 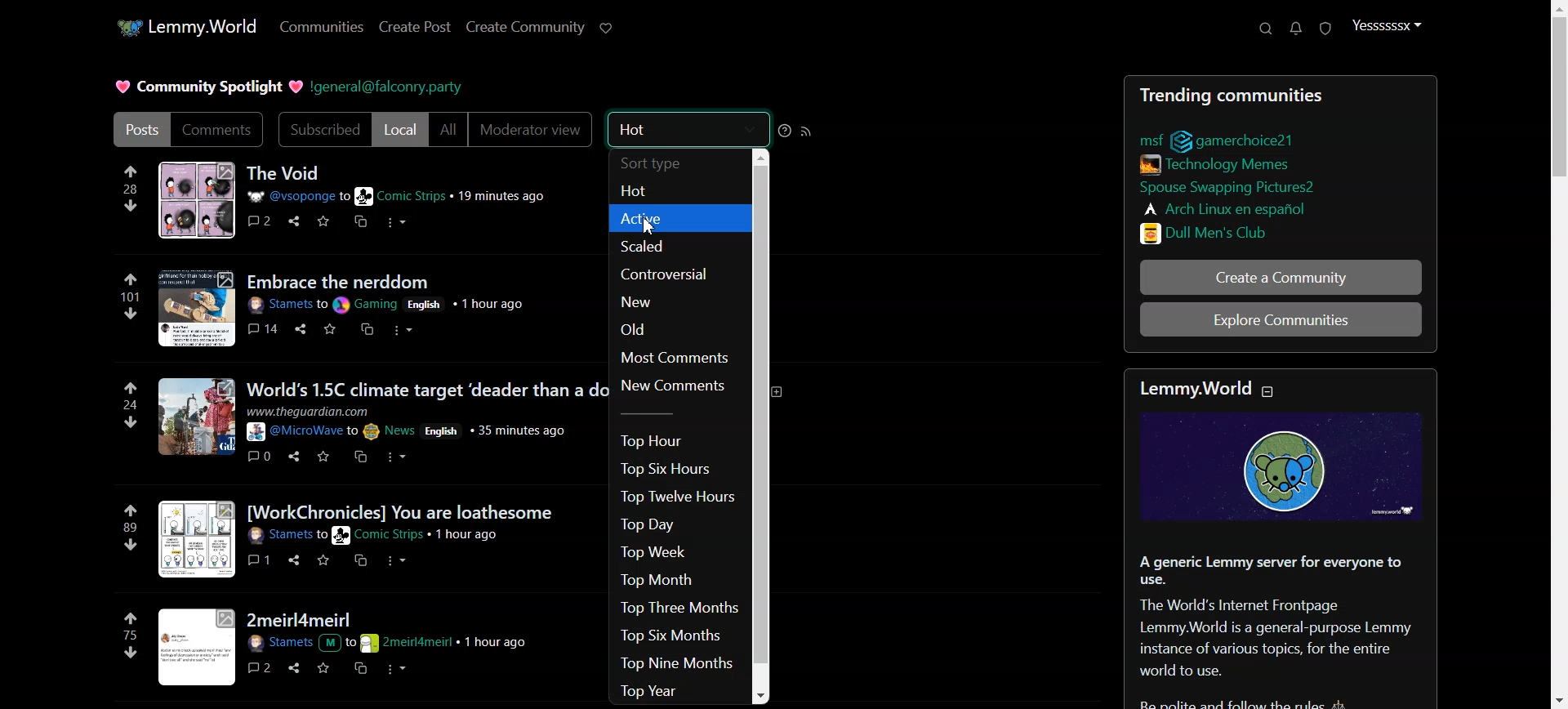 I want to click on Top Year, so click(x=675, y=689).